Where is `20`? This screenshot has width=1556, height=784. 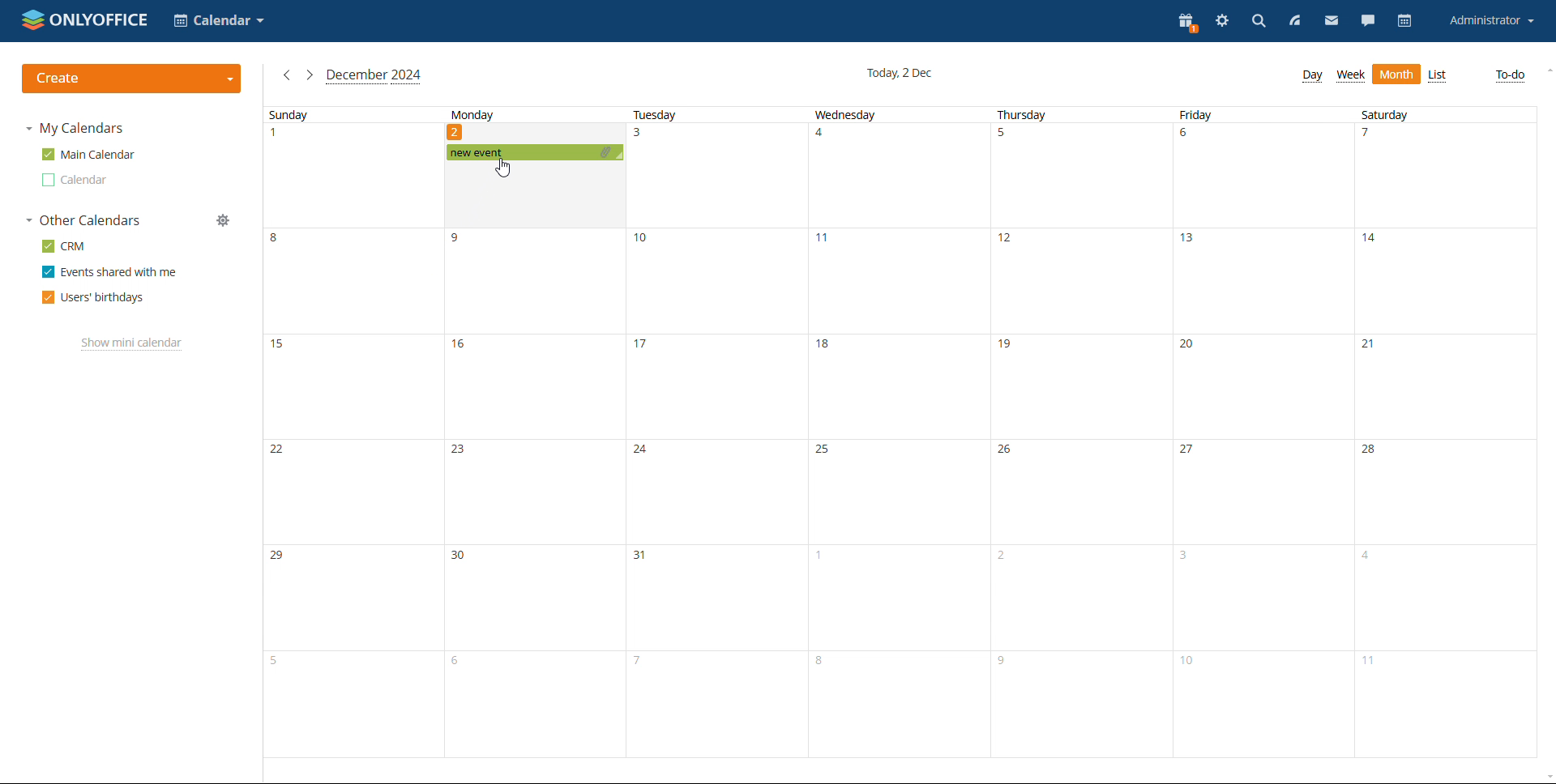
20 is located at coordinates (1191, 346).